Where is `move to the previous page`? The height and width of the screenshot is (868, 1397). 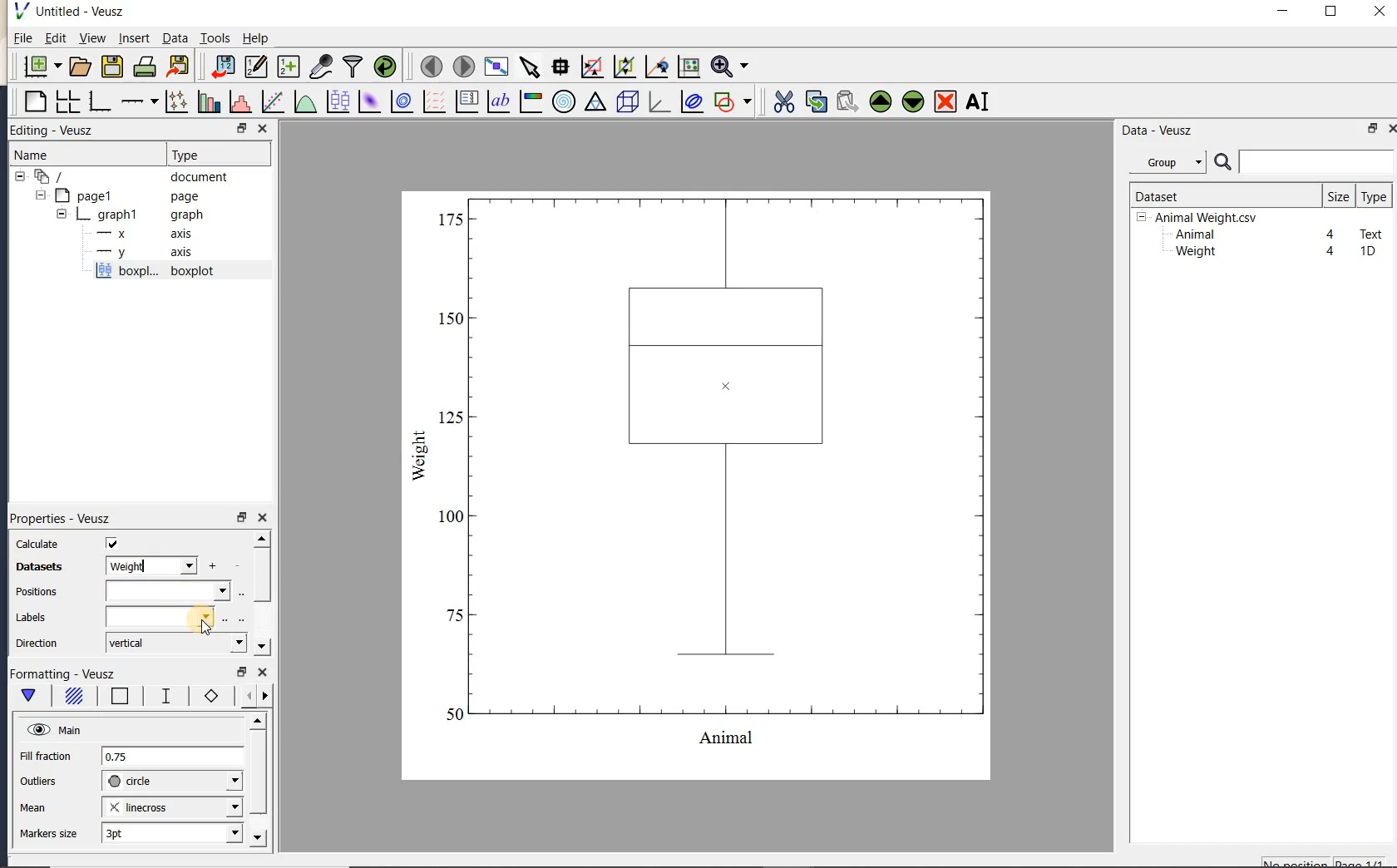
move to the previous page is located at coordinates (428, 65).